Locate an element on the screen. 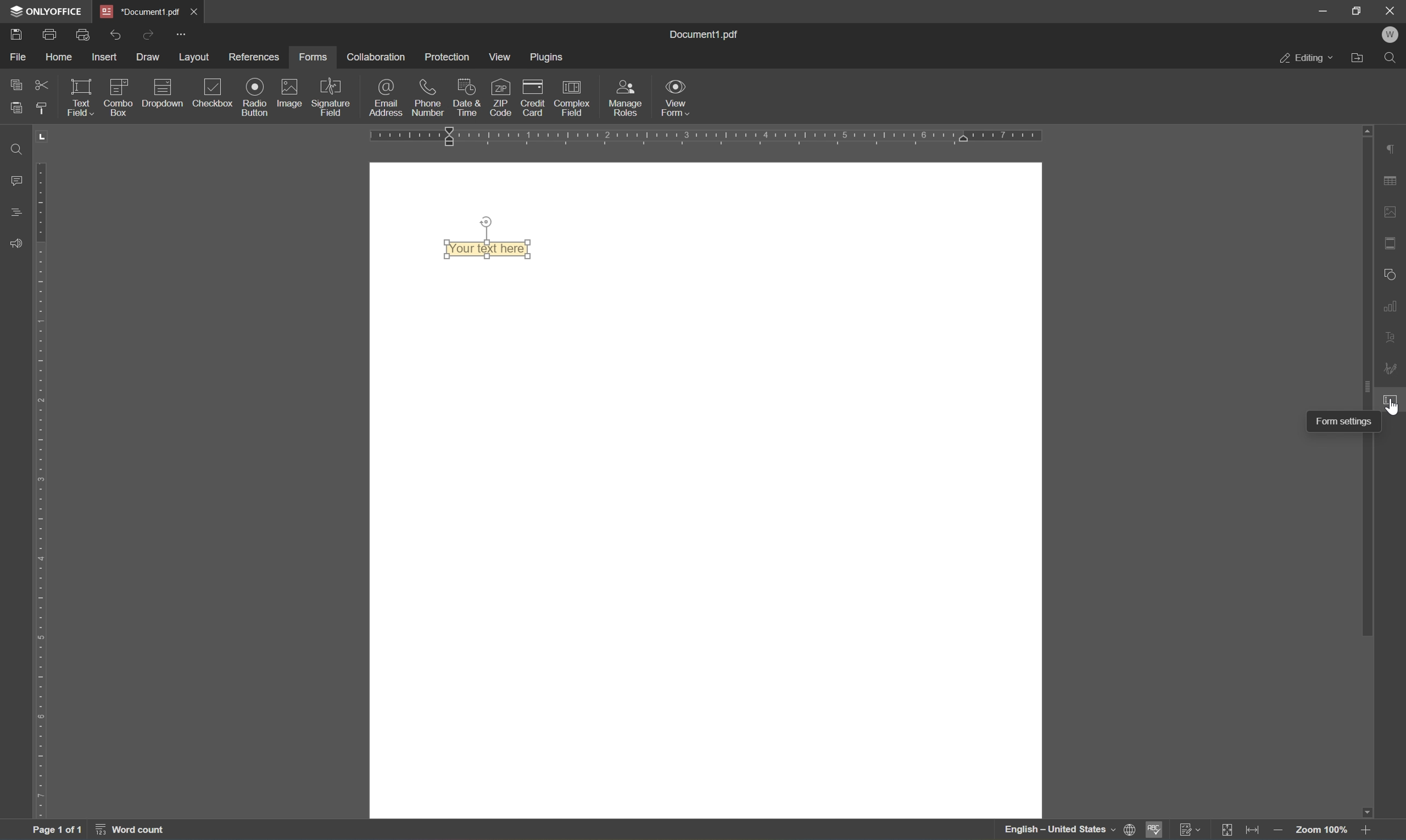  open file location is located at coordinates (1359, 59).